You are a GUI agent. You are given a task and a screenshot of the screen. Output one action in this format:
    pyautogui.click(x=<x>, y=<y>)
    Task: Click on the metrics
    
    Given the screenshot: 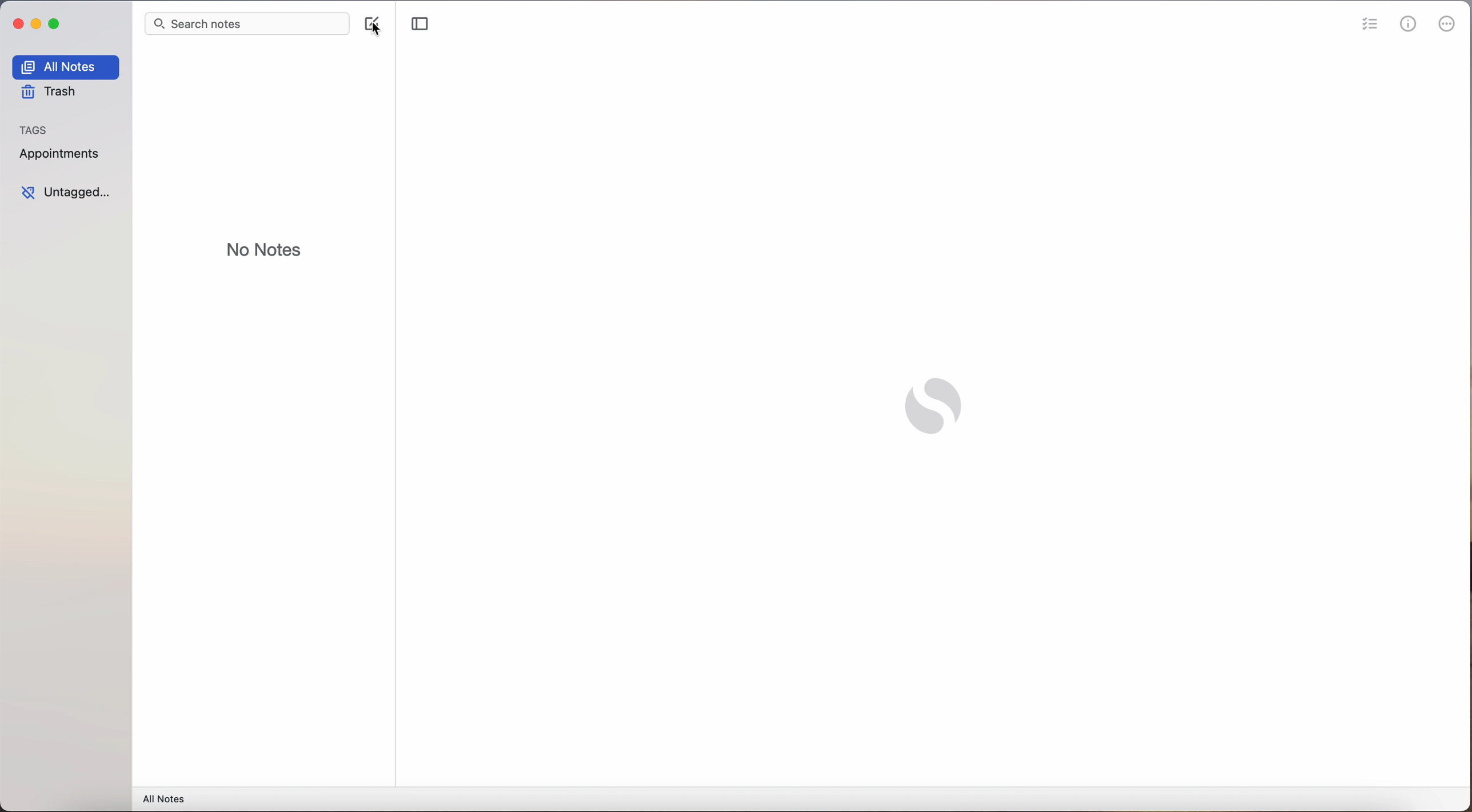 What is the action you would take?
    pyautogui.click(x=1409, y=24)
    